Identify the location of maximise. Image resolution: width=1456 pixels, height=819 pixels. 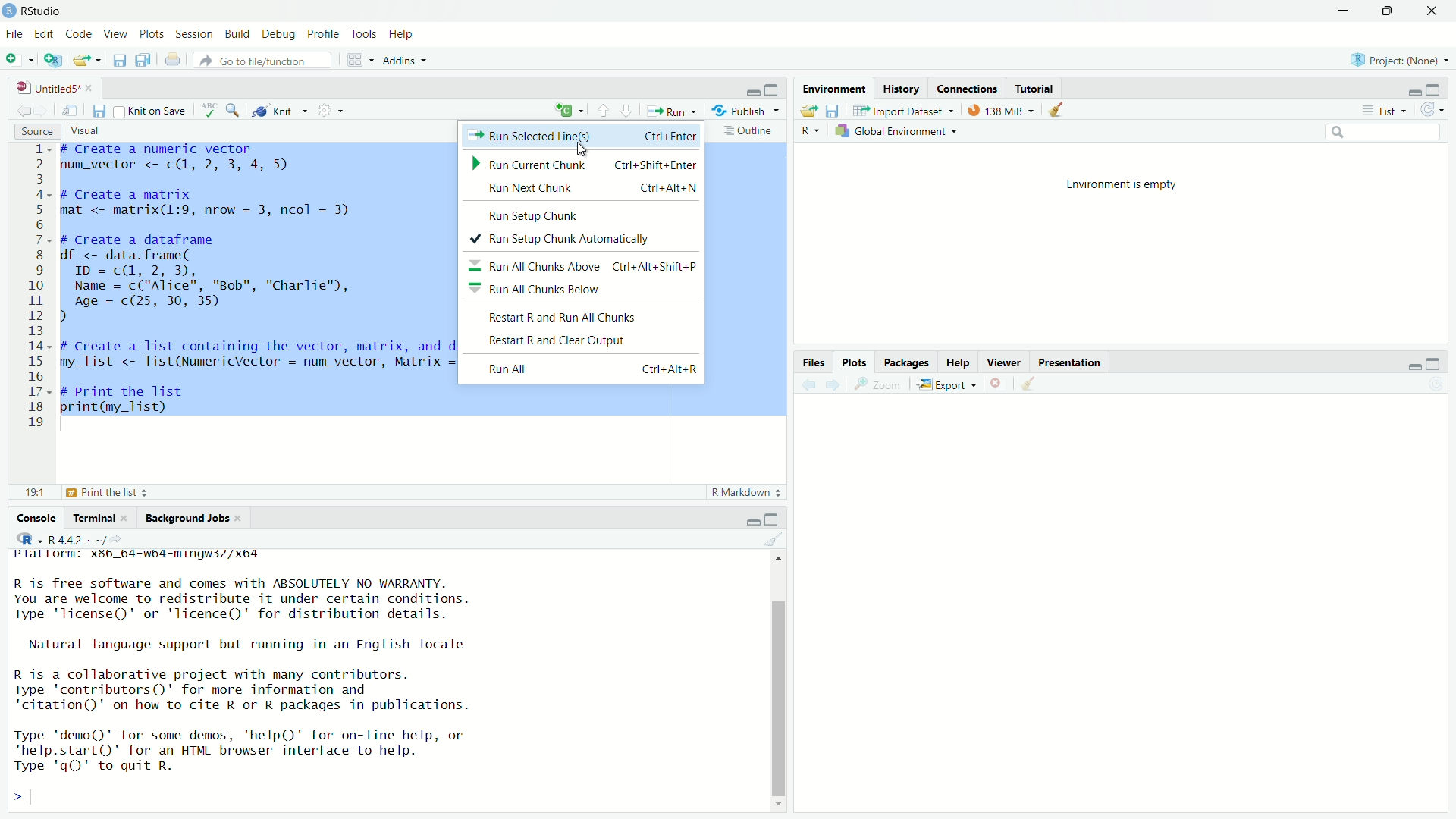
(777, 517).